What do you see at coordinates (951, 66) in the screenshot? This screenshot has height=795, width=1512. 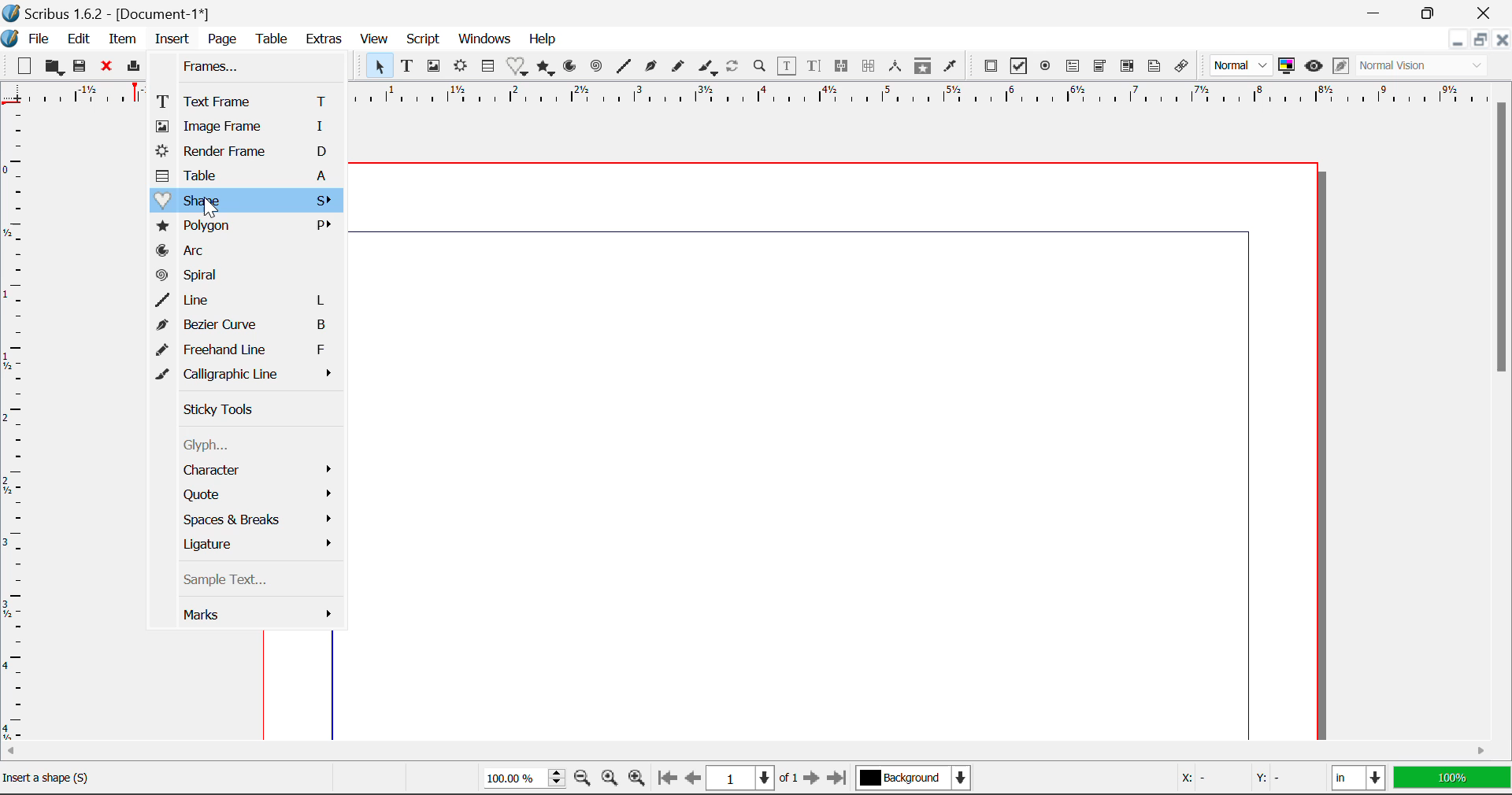 I see `Eyedropper` at bounding box center [951, 66].